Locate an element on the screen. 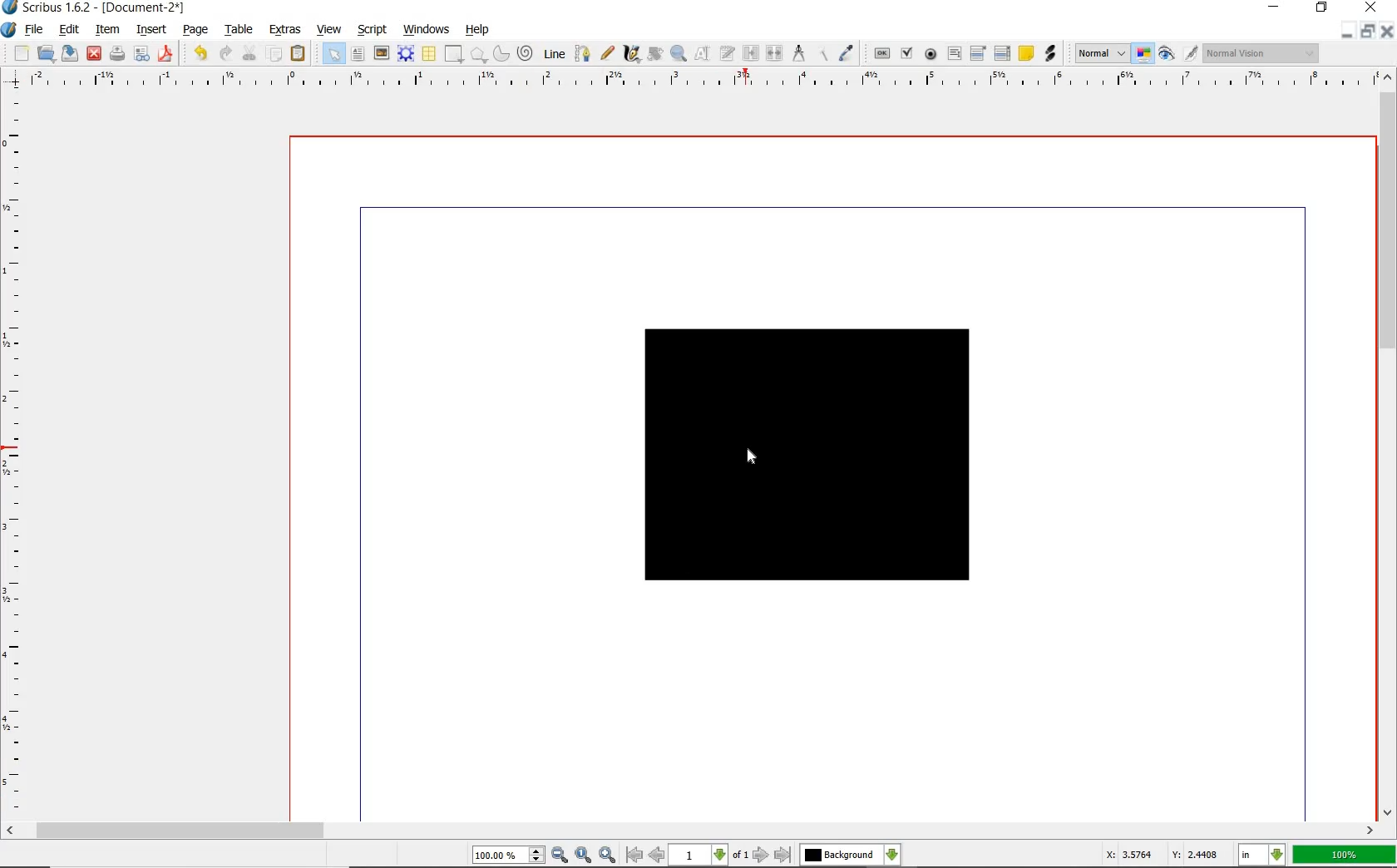 The height and width of the screenshot is (868, 1397). eye dropper is located at coordinates (848, 52).